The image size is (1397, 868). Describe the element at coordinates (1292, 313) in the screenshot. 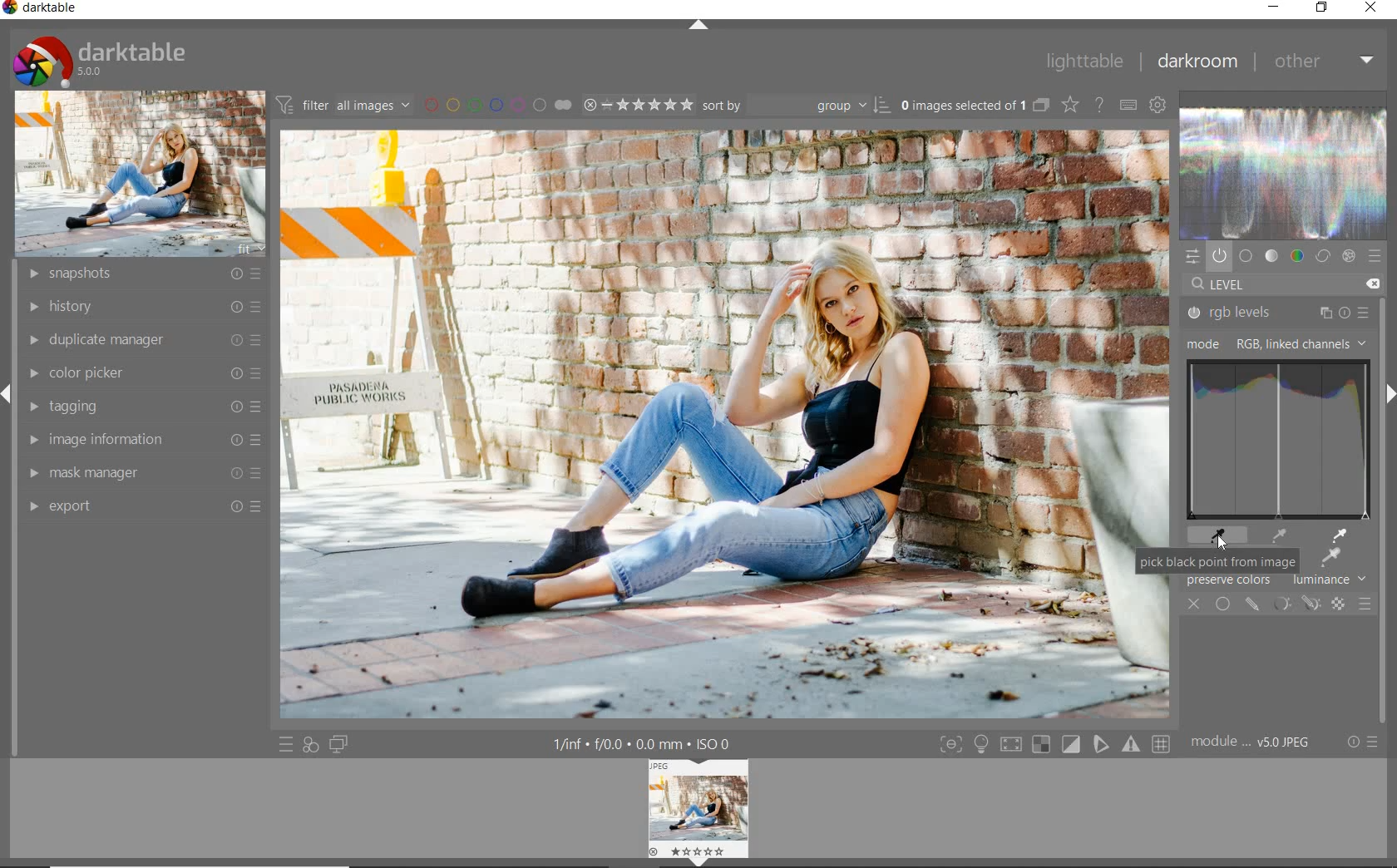

I see `rgb levels` at that location.